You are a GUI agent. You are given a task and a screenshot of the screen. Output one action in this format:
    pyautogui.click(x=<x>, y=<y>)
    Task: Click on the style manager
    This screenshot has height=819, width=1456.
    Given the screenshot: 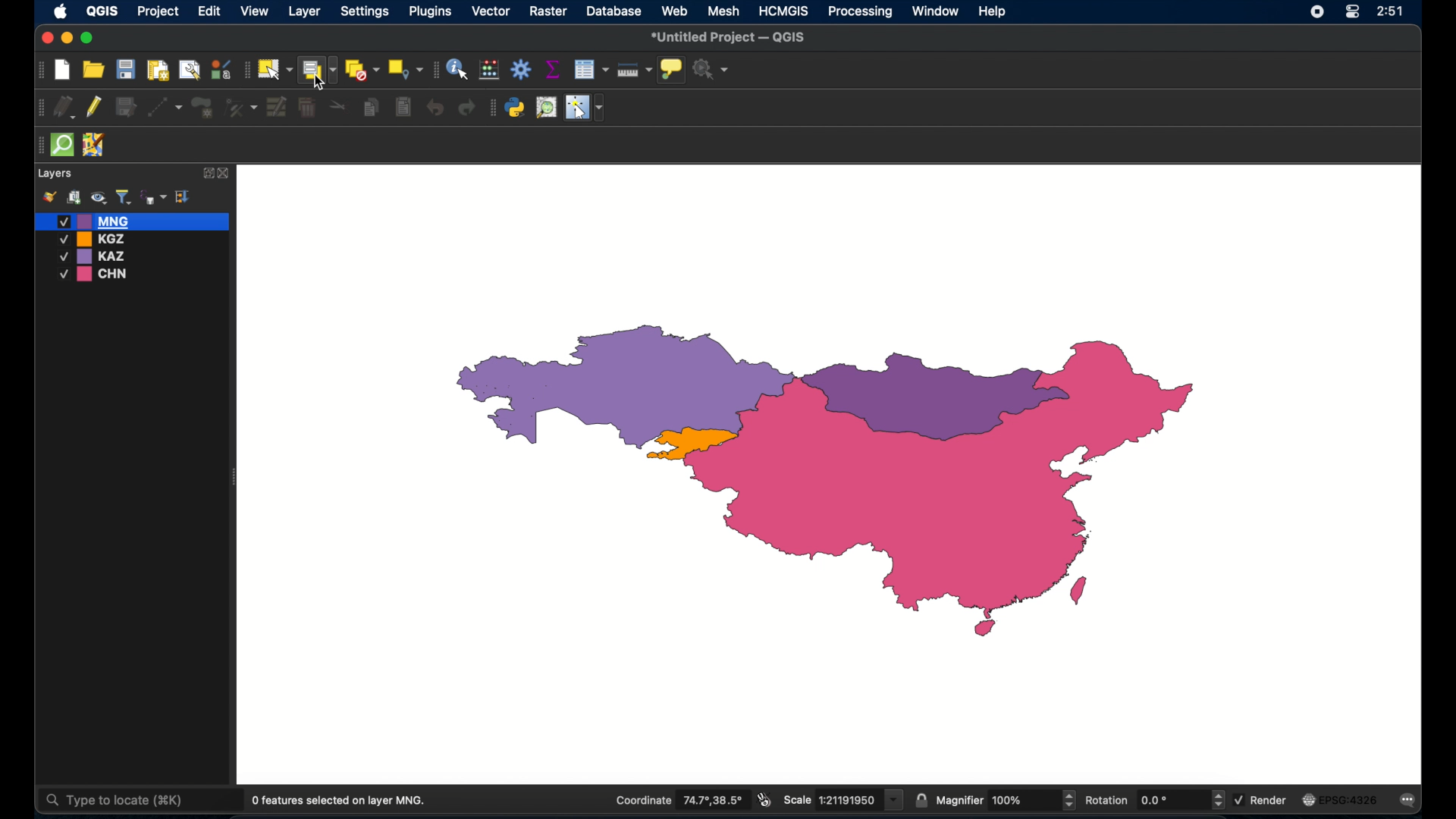 What is the action you would take?
    pyautogui.click(x=221, y=67)
    